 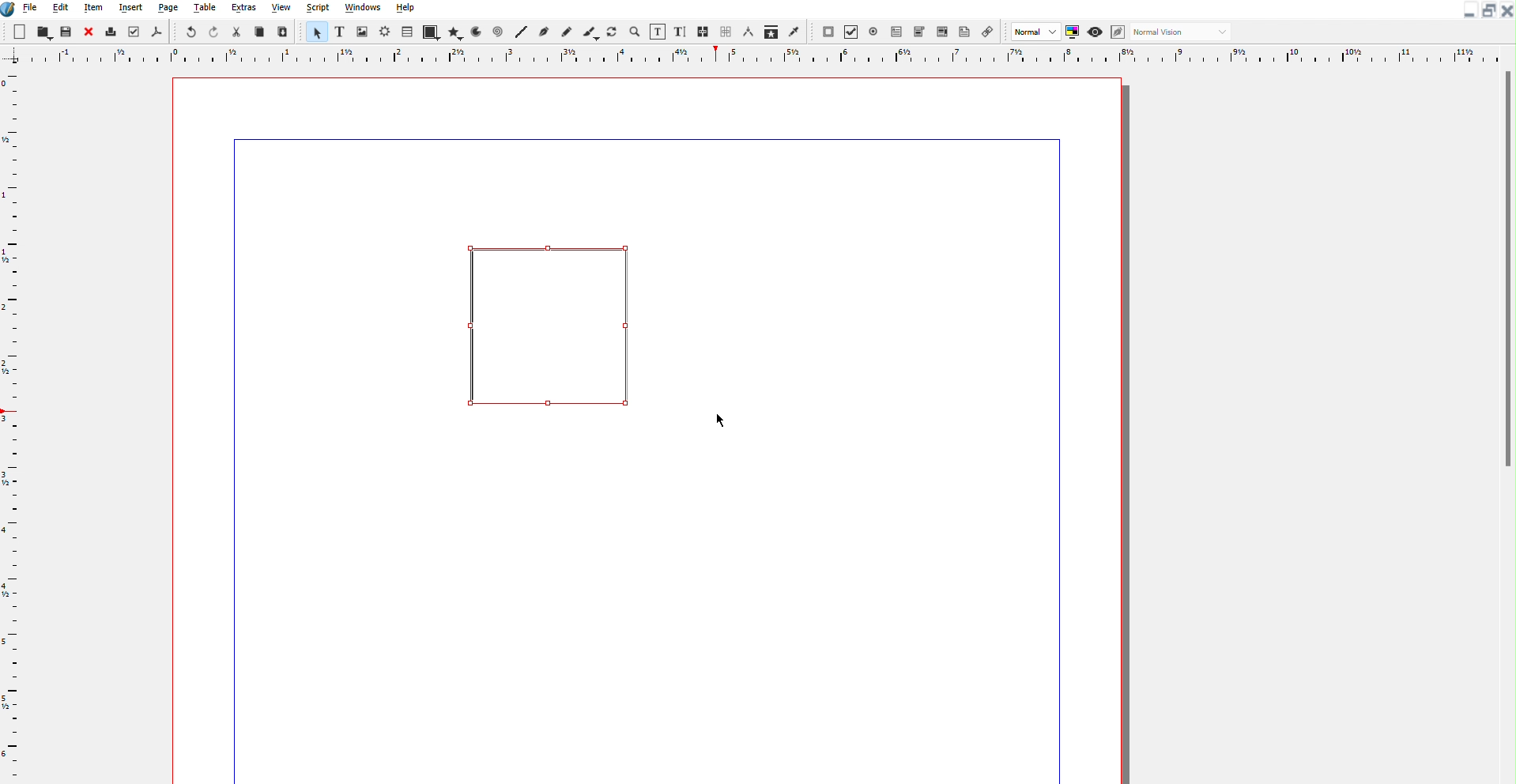 What do you see at coordinates (315, 31) in the screenshot?
I see `Pointer` at bounding box center [315, 31].